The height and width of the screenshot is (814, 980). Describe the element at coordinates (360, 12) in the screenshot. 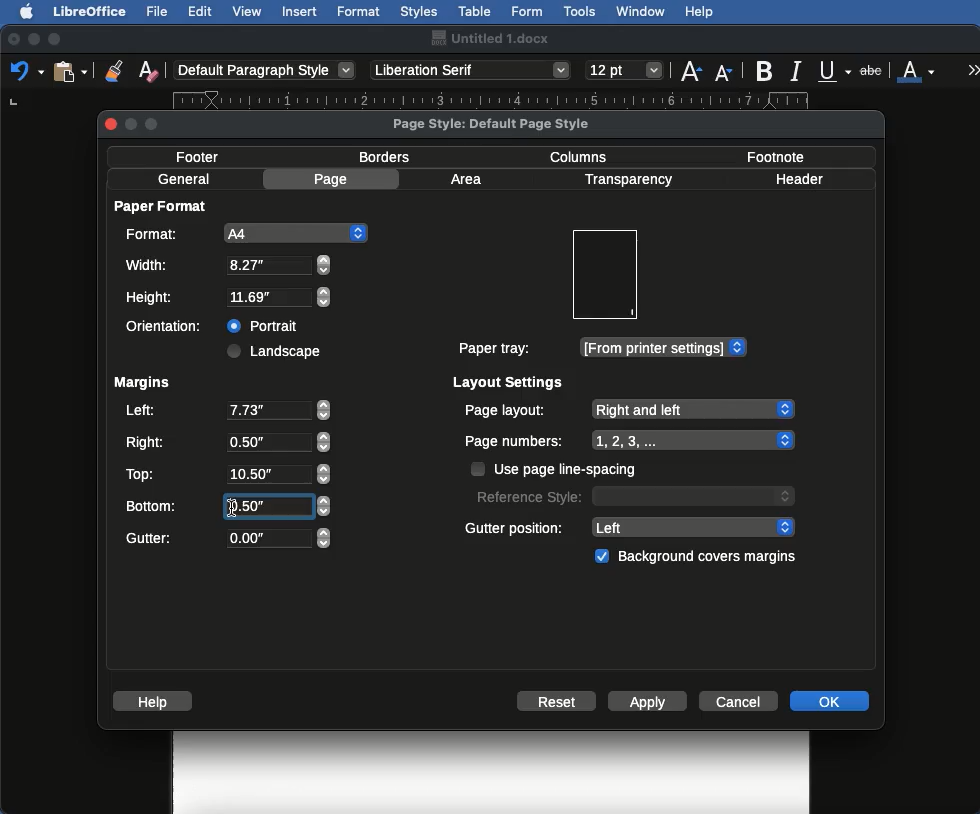

I see `Format` at that location.